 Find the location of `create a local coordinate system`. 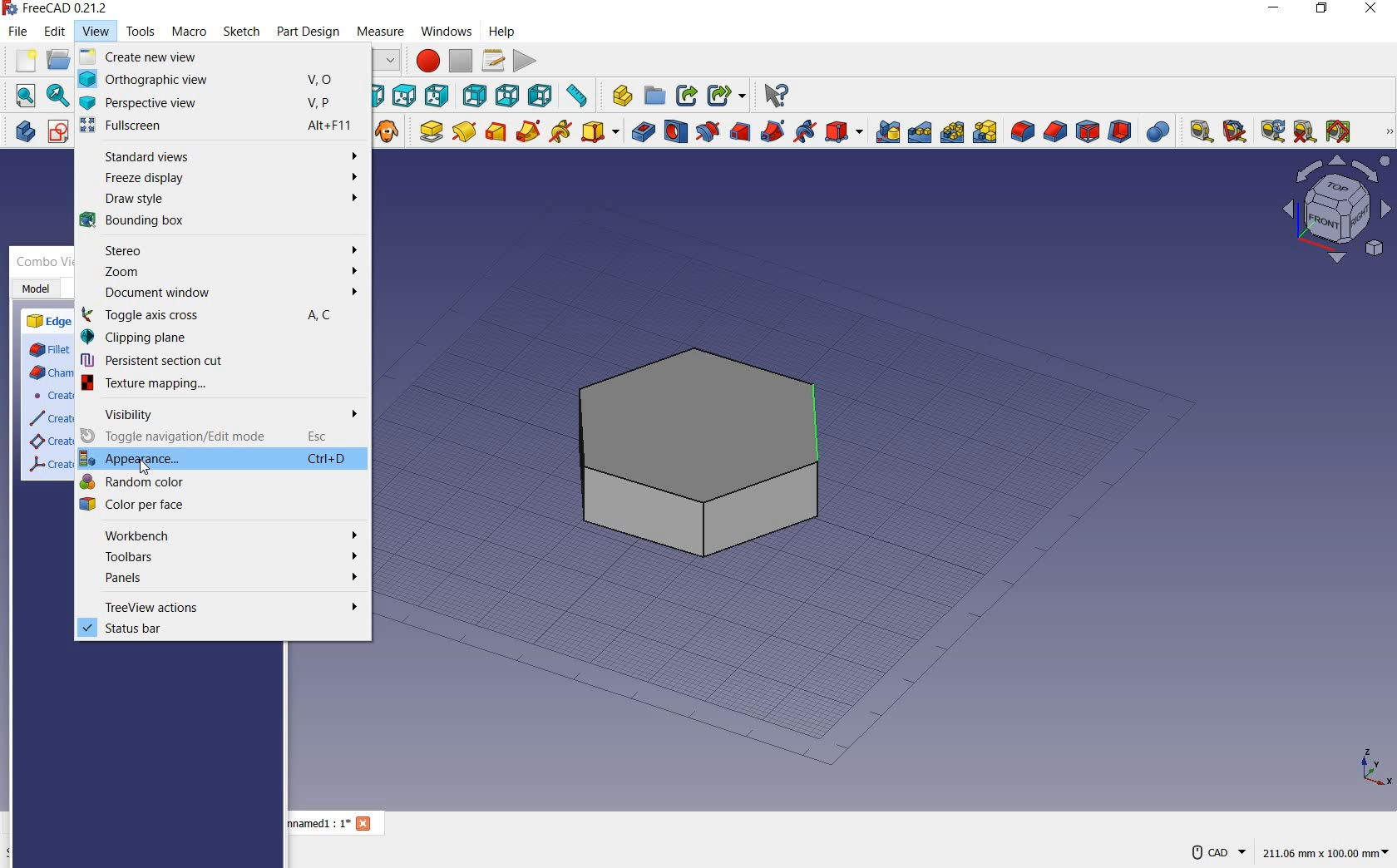

create a local coordinate system is located at coordinates (48, 466).